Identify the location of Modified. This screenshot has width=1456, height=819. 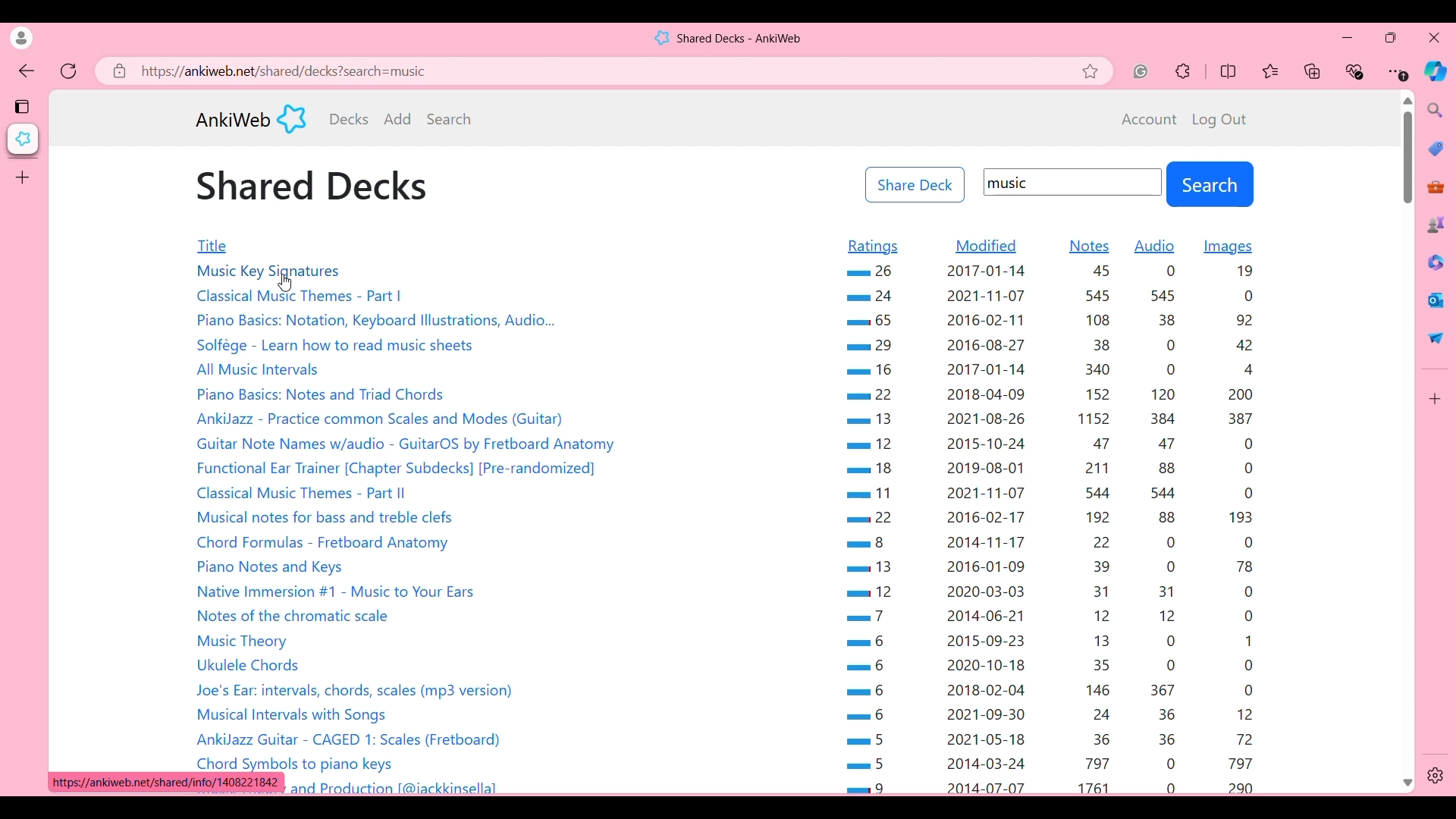
(987, 246).